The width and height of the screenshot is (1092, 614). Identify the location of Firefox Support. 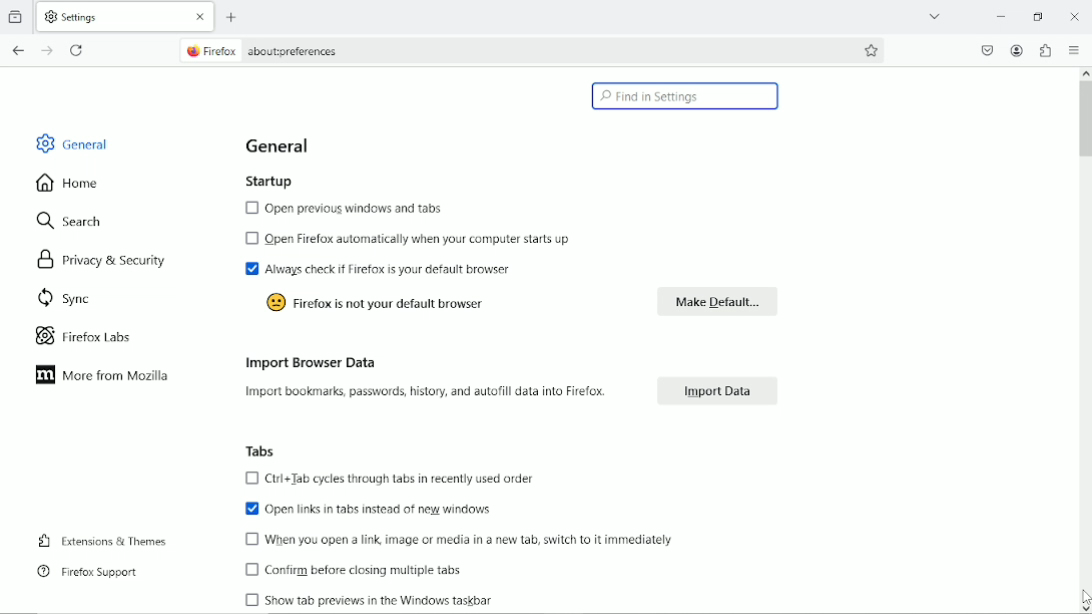
(91, 572).